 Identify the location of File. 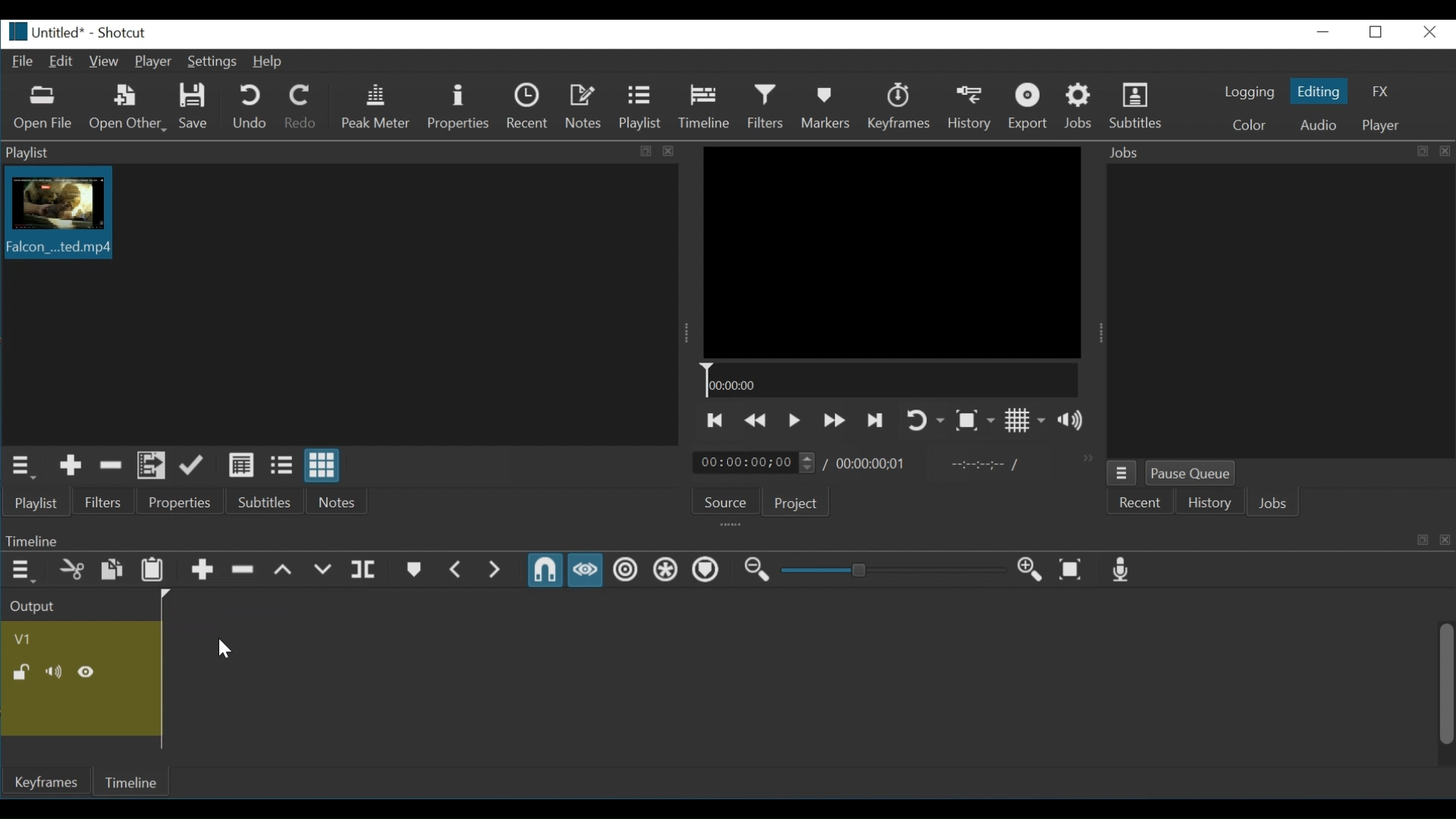
(20, 60).